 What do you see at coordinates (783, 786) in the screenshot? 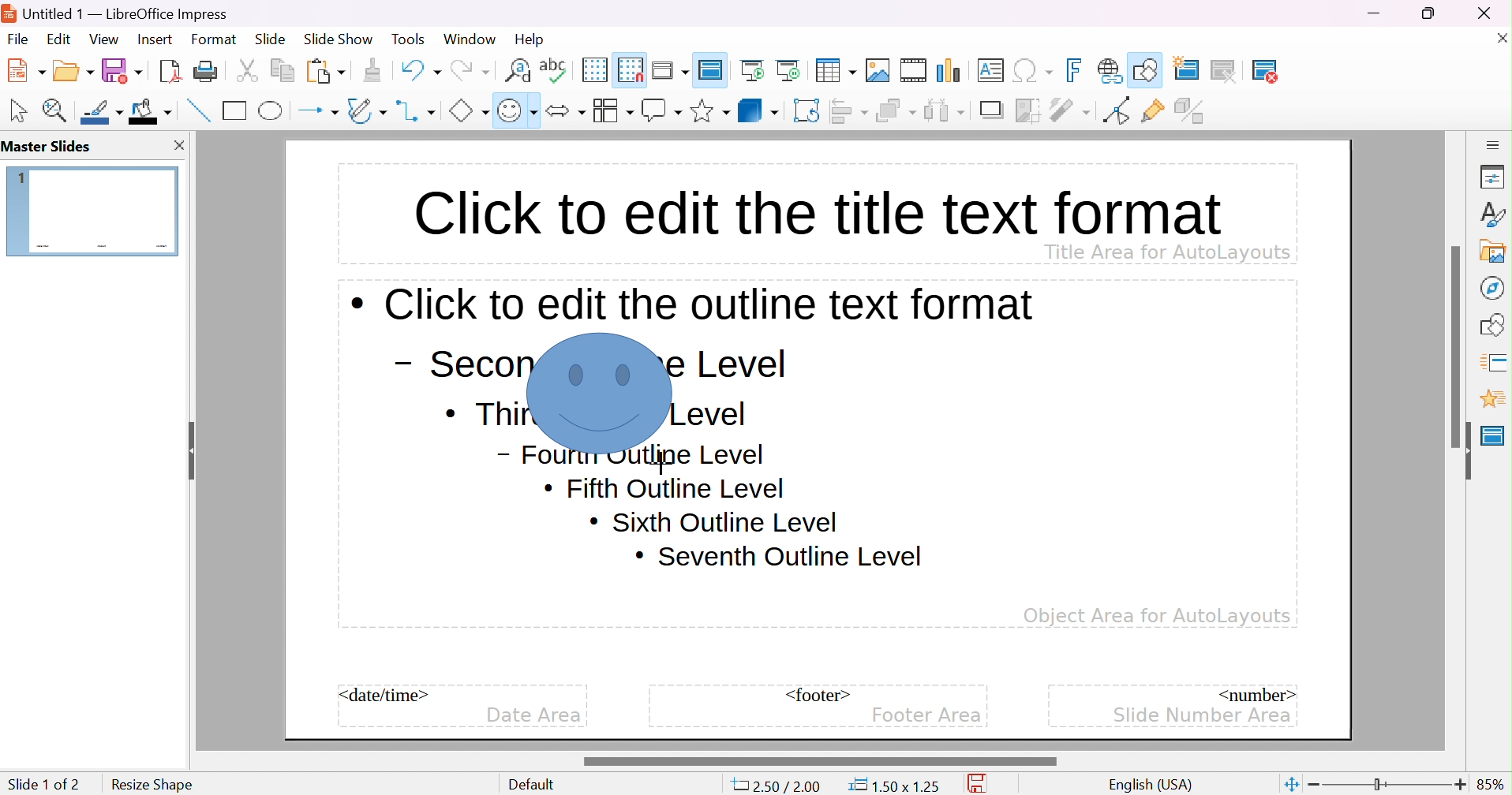
I see `-0.96/0.09` at bounding box center [783, 786].